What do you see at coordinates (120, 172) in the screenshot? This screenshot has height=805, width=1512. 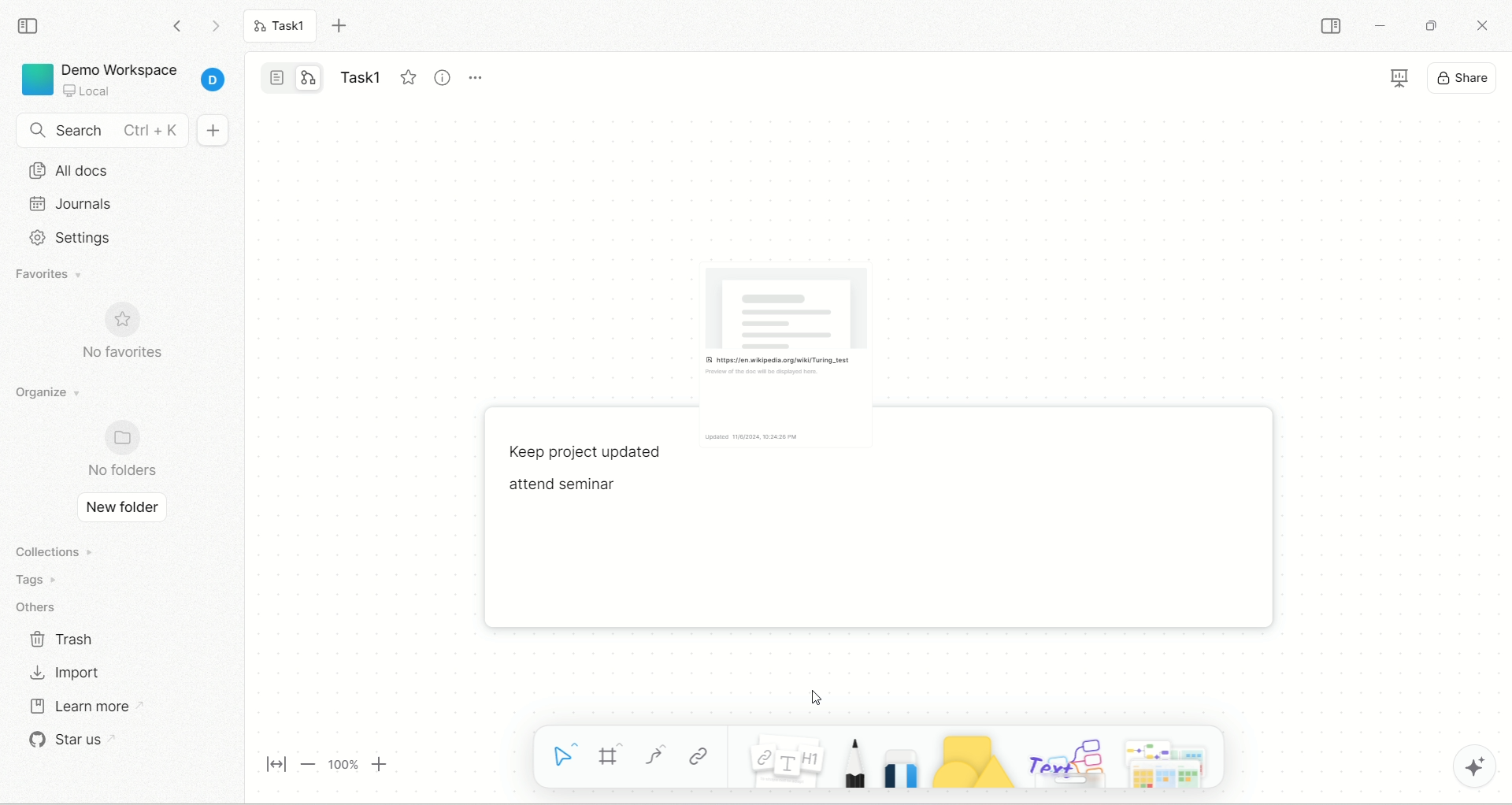 I see `all docs` at bounding box center [120, 172].